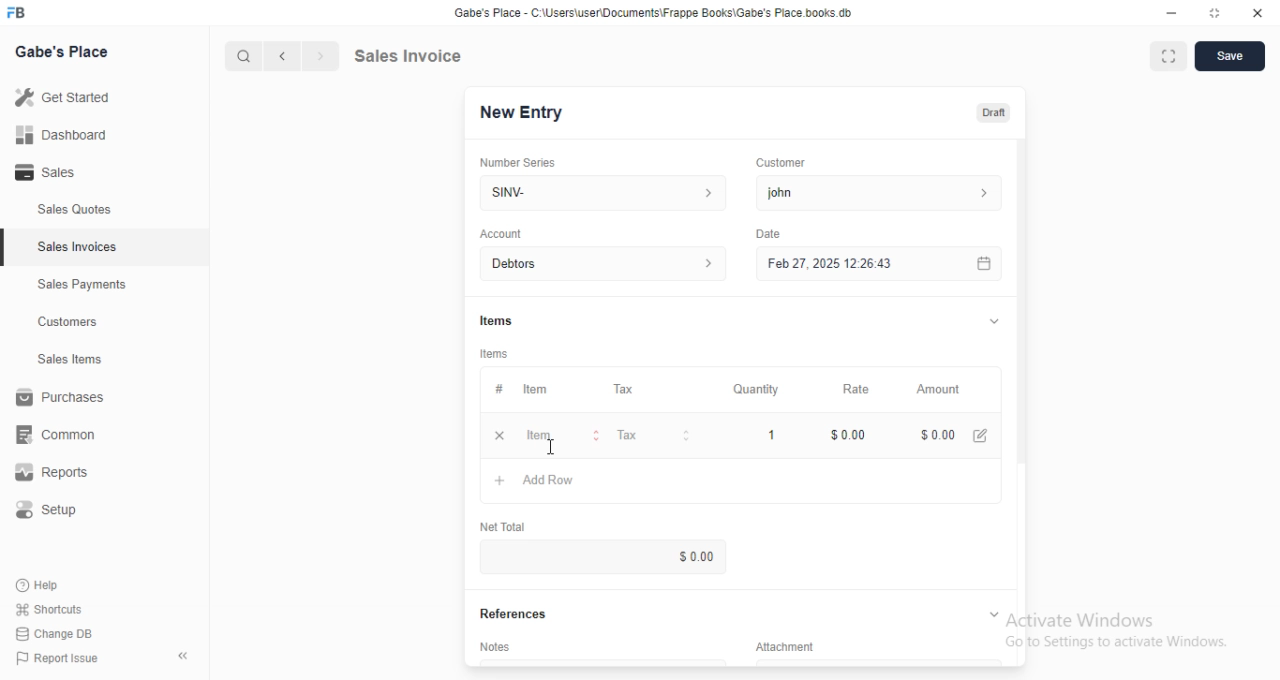  What do you see at coordinates (80, 248) in the screenshot?
I see `Sales Invoices` at bounding box center [80, 248].